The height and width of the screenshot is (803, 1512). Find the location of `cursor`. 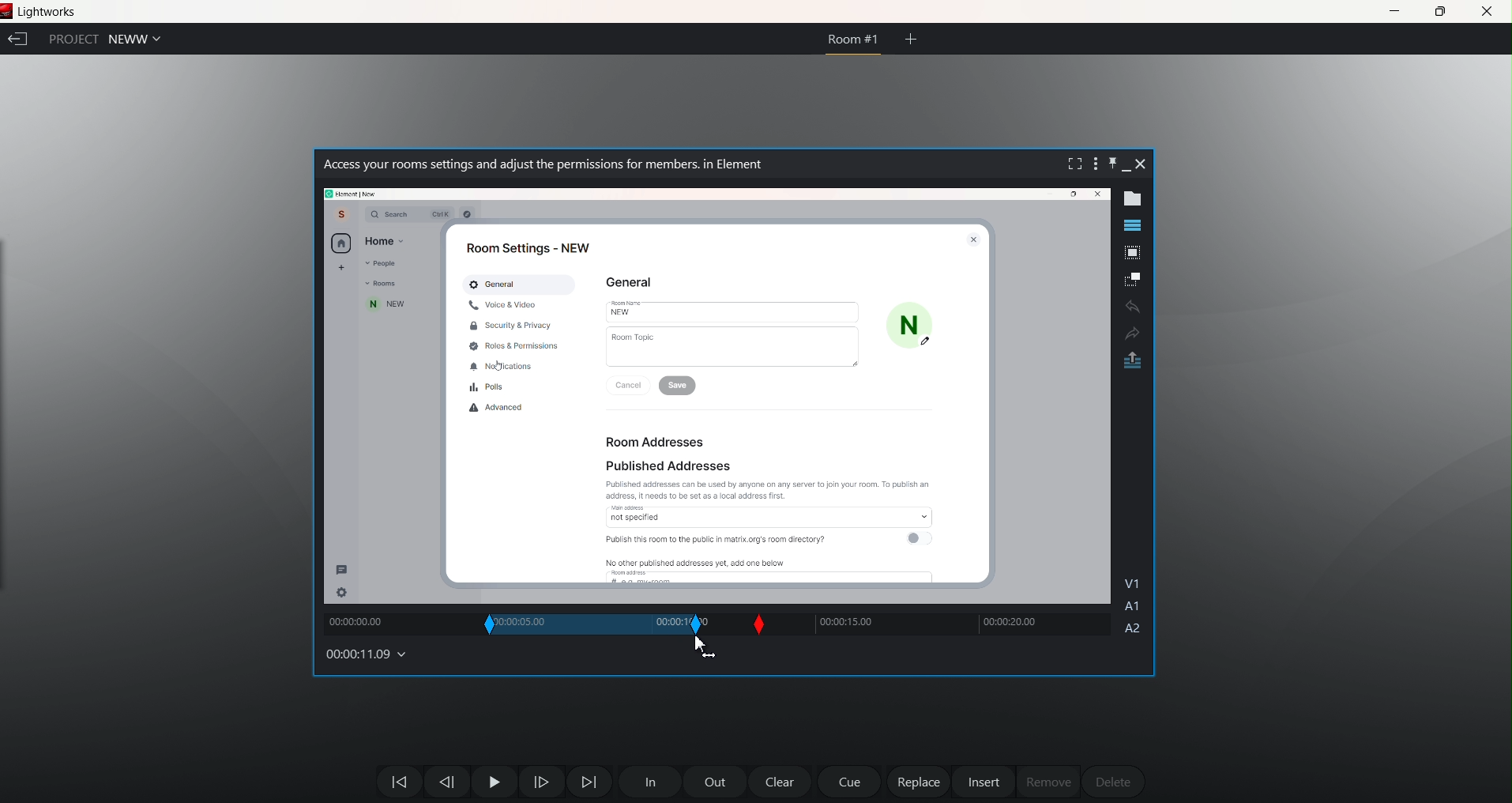

cursor is located at coordinates (705, 647).